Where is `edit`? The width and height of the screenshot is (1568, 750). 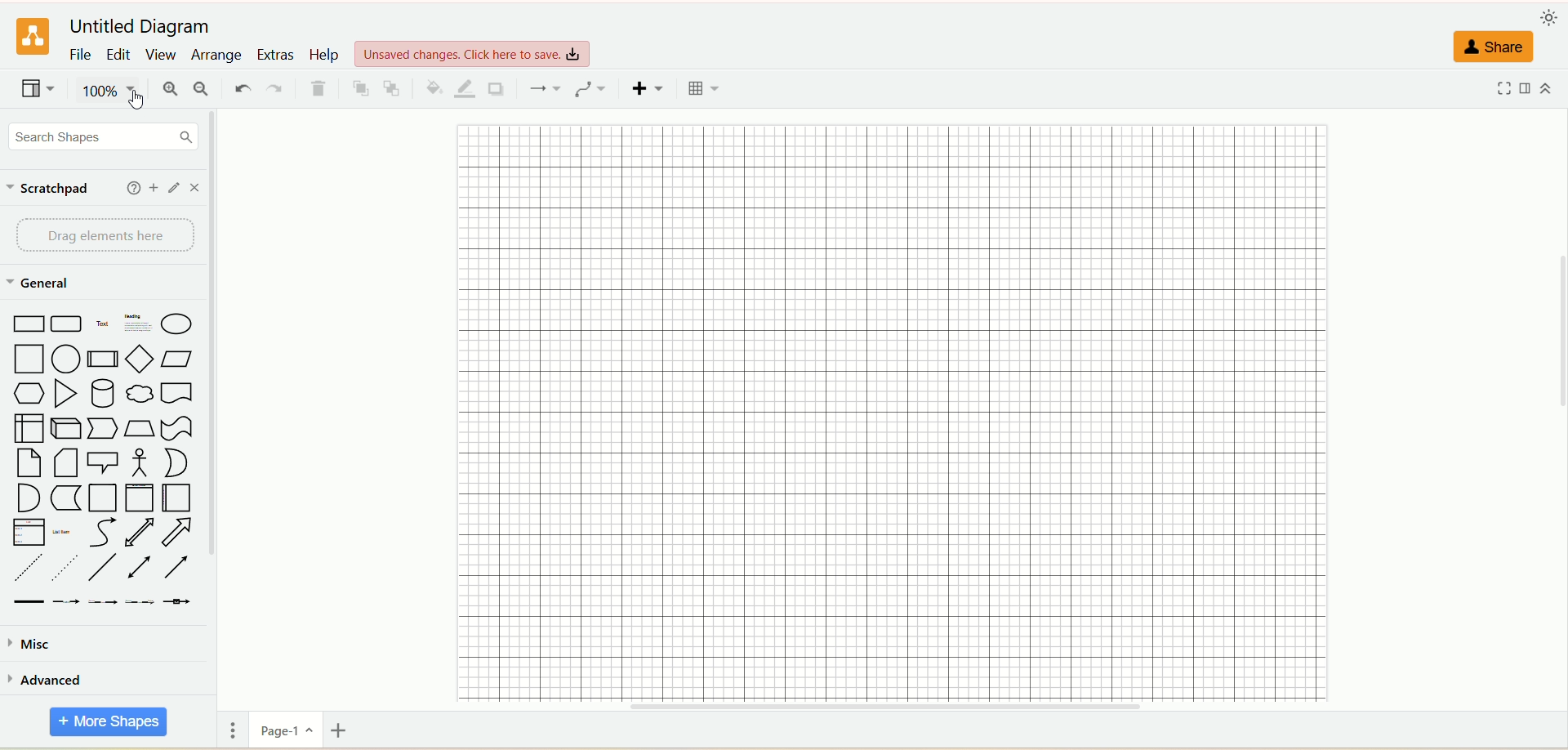
edit is located at coordinates (119, 54).